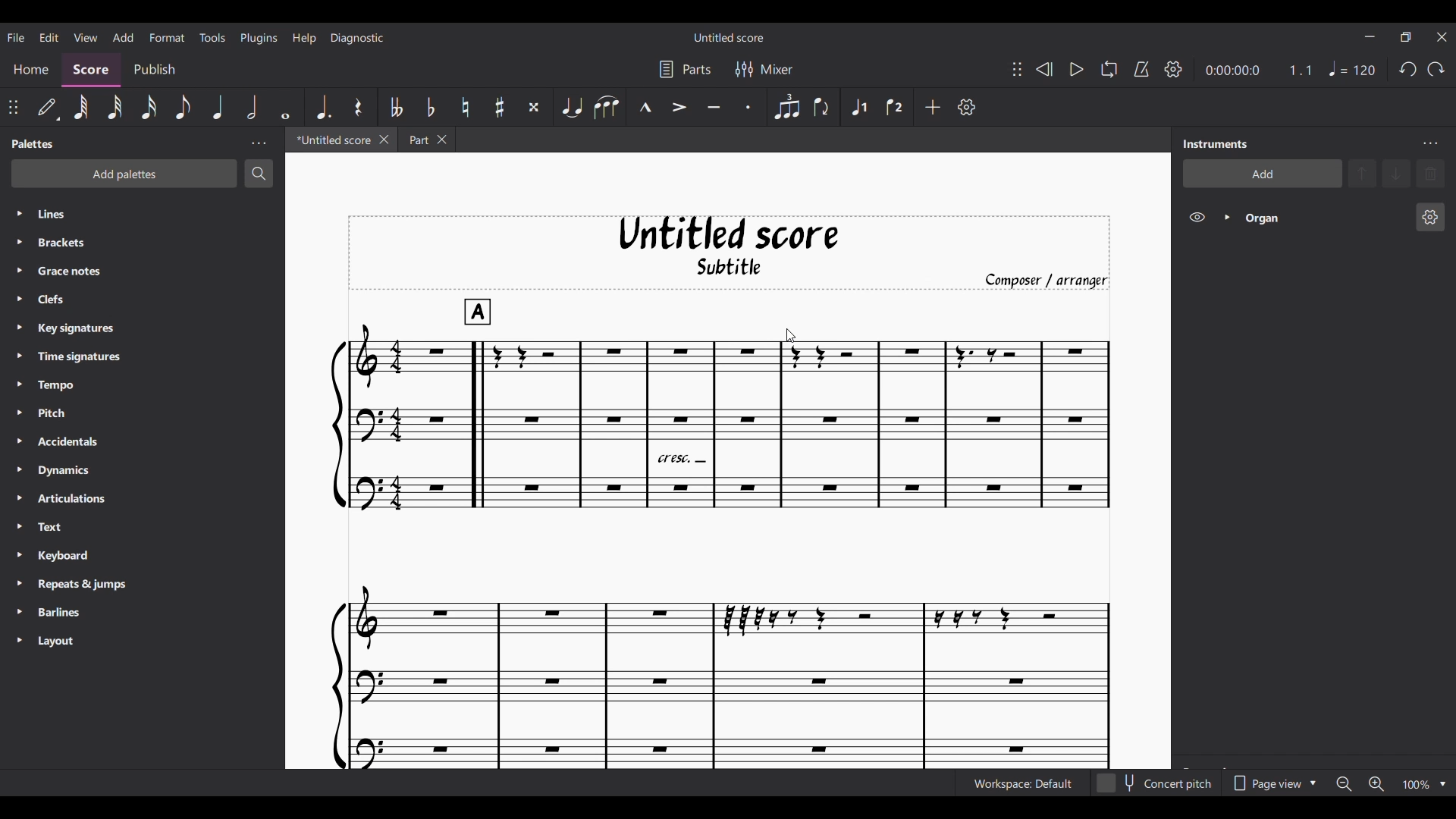 Image resolution: width=1456 pixels, height=819 pixels. Describe the element at coordinates (1156, 783) in the screenshot. I see `Toggle for Concert pitch` at that location.